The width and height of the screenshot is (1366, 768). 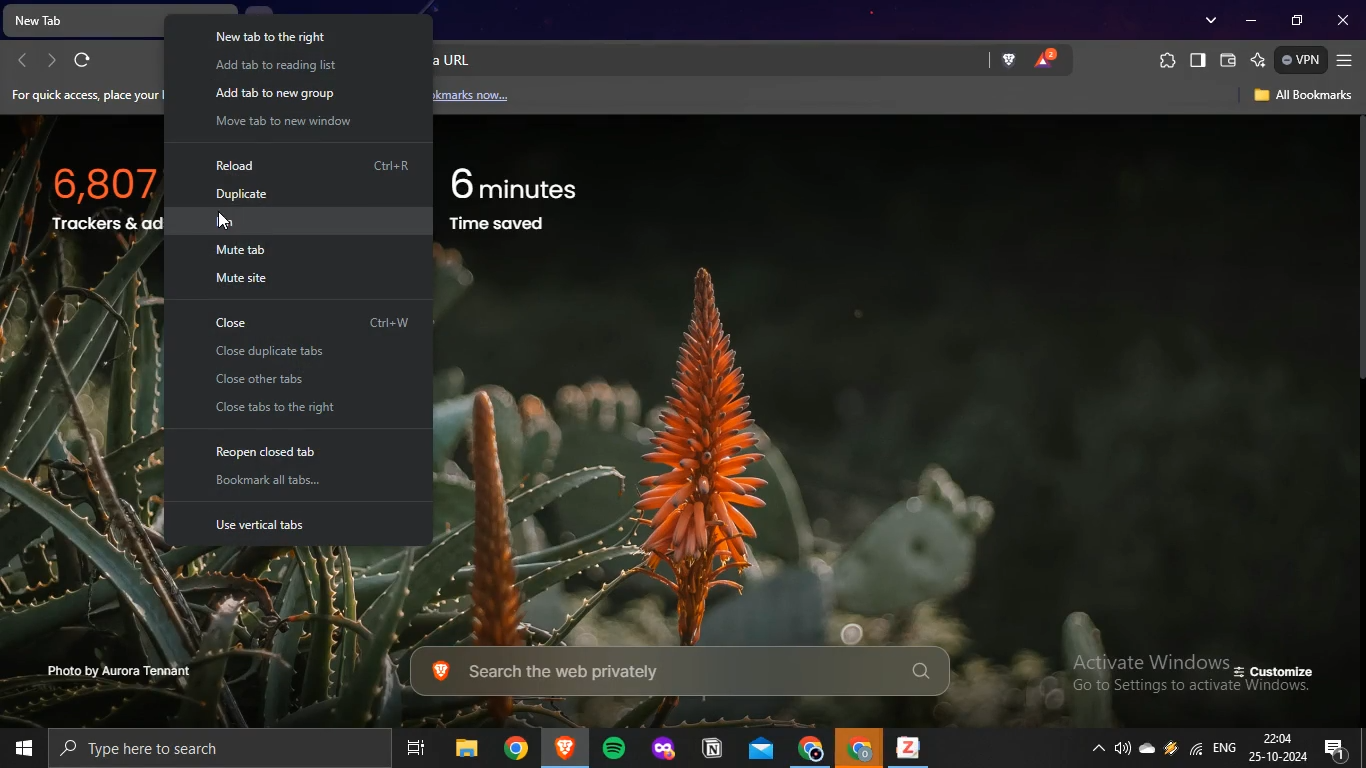 I want to click on brave, so click(x=564, y=748).